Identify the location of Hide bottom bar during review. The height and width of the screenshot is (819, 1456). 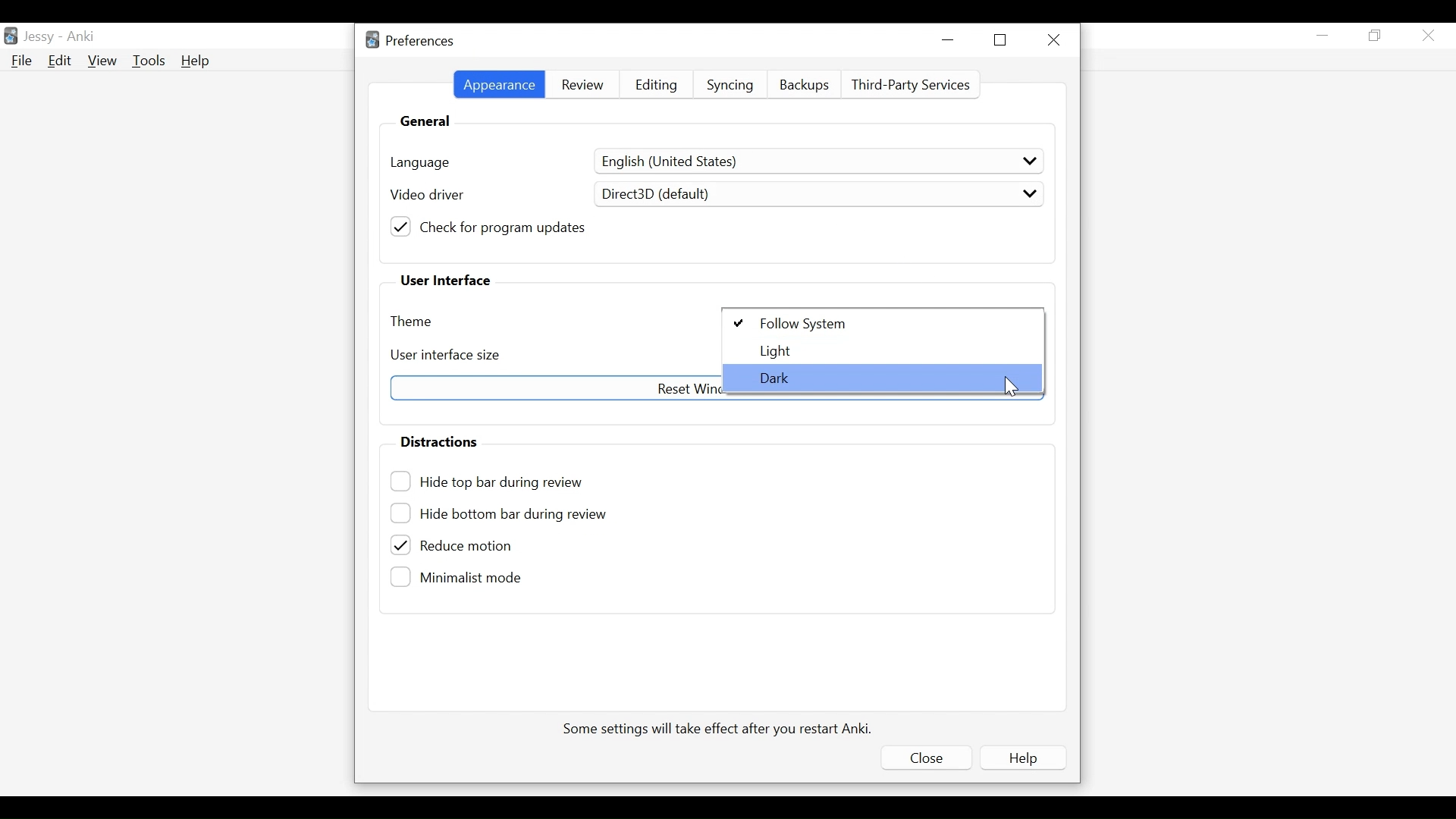
(501, 515).